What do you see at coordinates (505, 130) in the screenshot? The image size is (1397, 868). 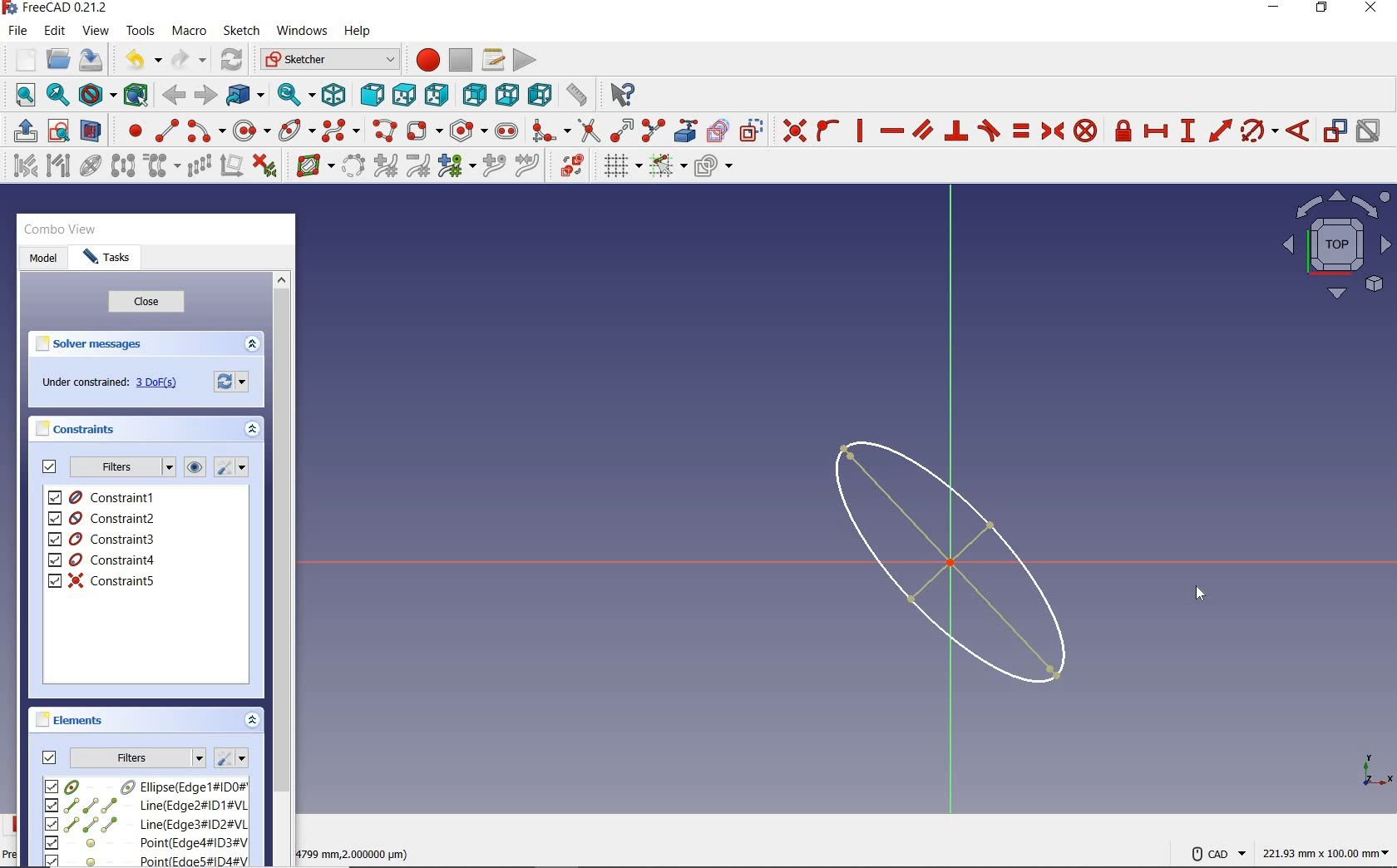 I see `create slot` at bounding box center [505, 130].